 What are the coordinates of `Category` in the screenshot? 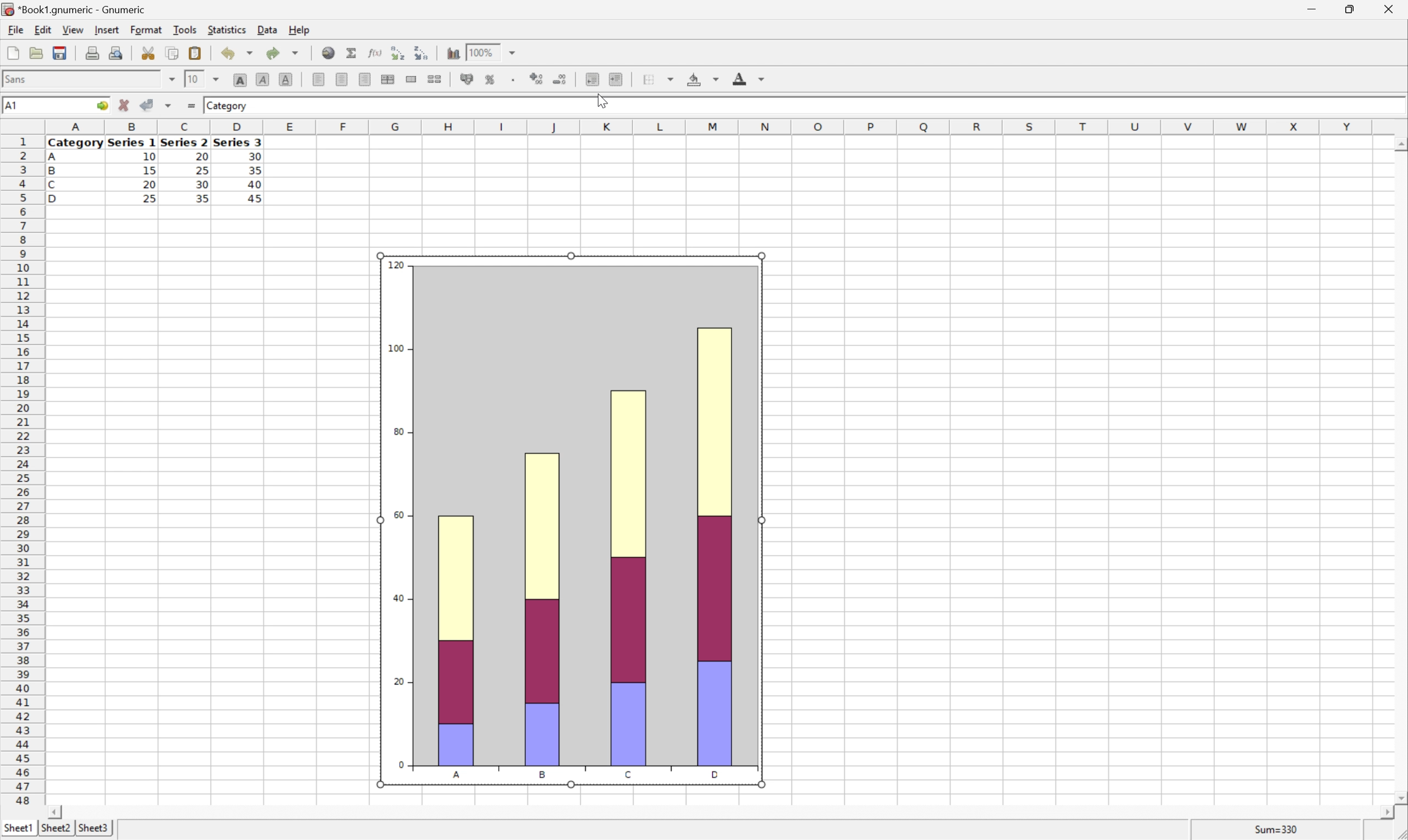 It's located at (228, 106).